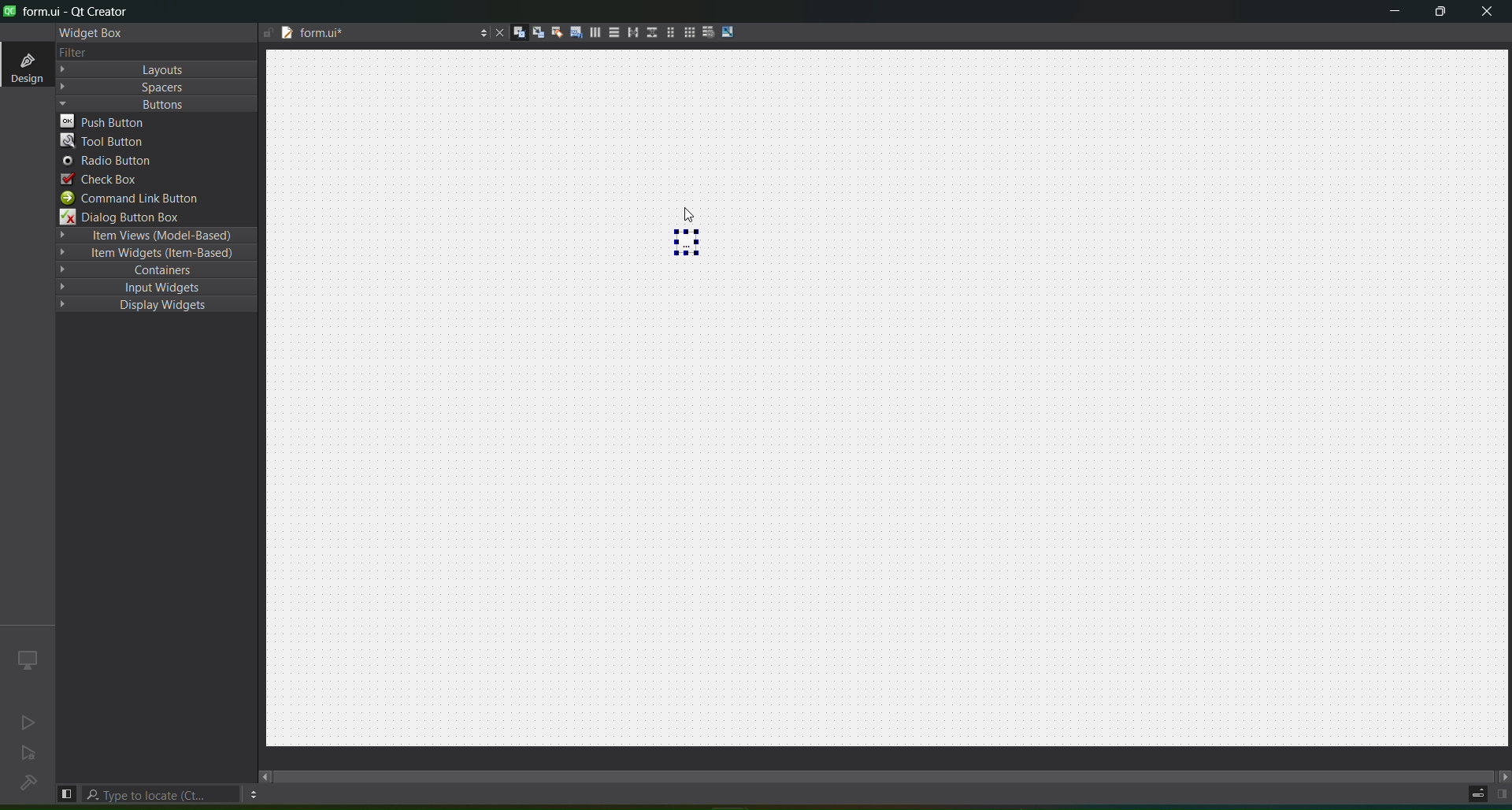  What do you see at coordinates (1469, 797) in the screenshot?
I see `progress details` at bounding box center [1469, 797].